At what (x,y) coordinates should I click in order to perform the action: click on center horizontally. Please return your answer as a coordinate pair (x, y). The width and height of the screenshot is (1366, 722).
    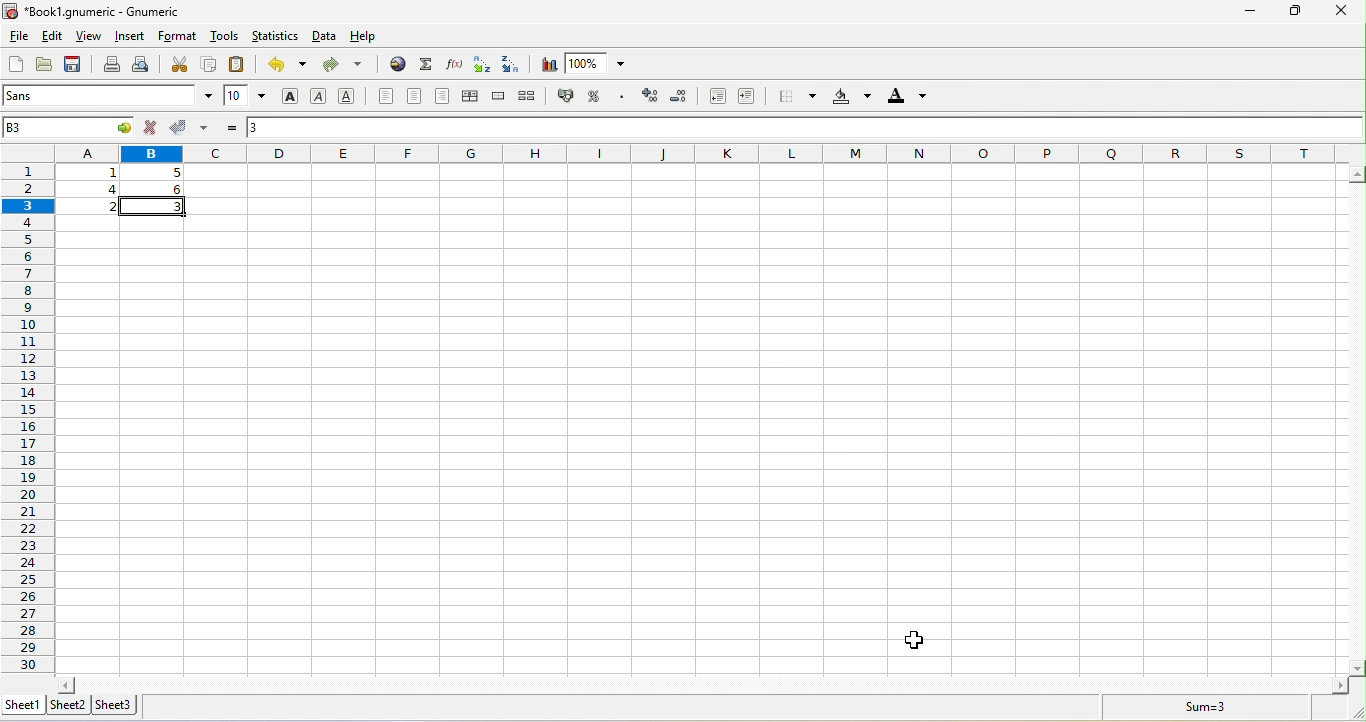
    Looking at the image, I should click on (474, 97).